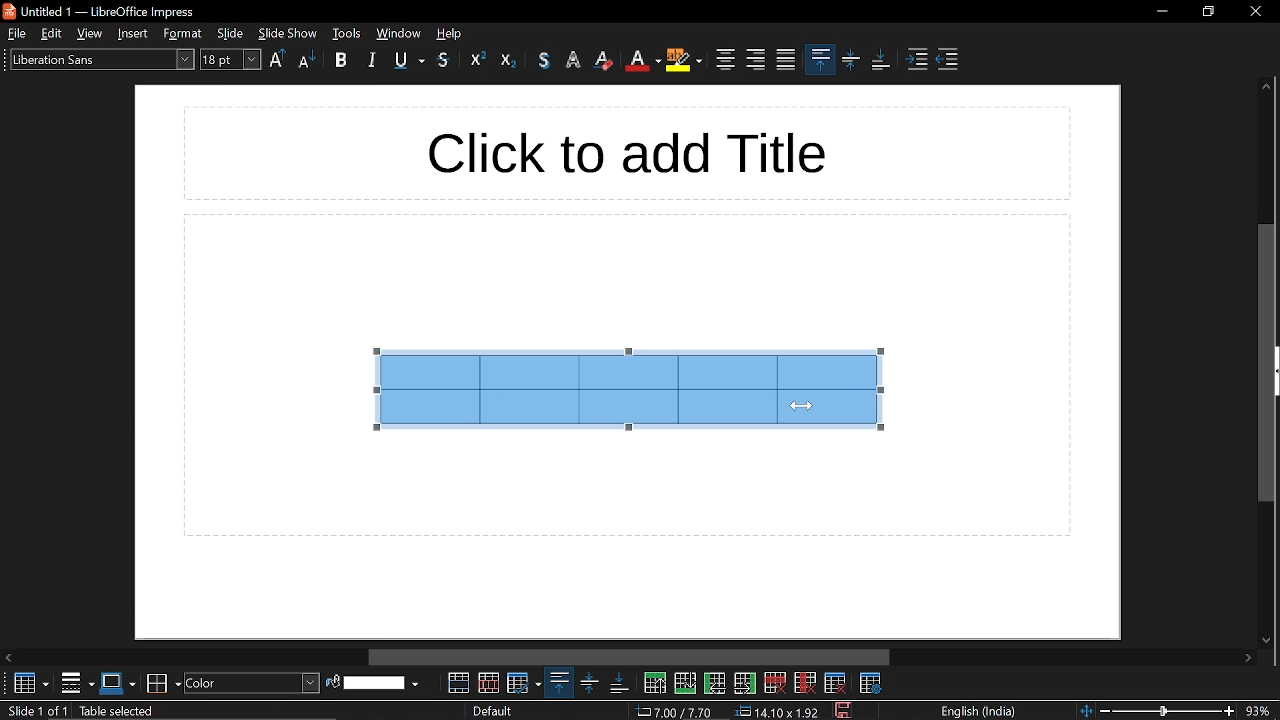 The width and height of the screenshot is (1280, 720). What do you see at coordinates (543, 60) in the screenshot?
I see `text color` at bounding box center [543, 60].